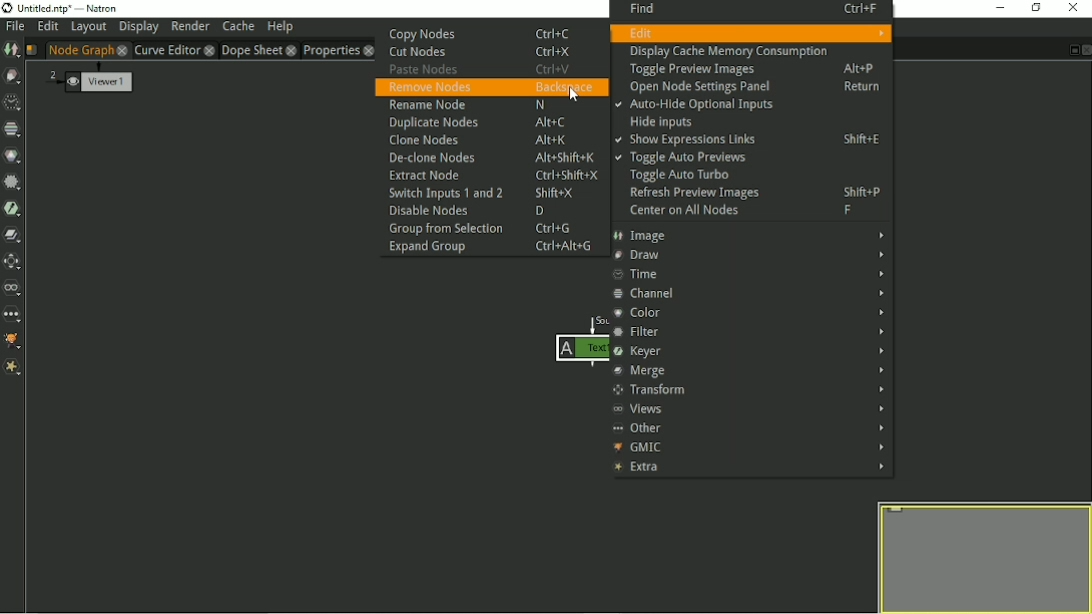 This screenshot has width=1092, height=614. Describe the element at coordinates (208, 50) in the screenshot. I see `close` at that location.